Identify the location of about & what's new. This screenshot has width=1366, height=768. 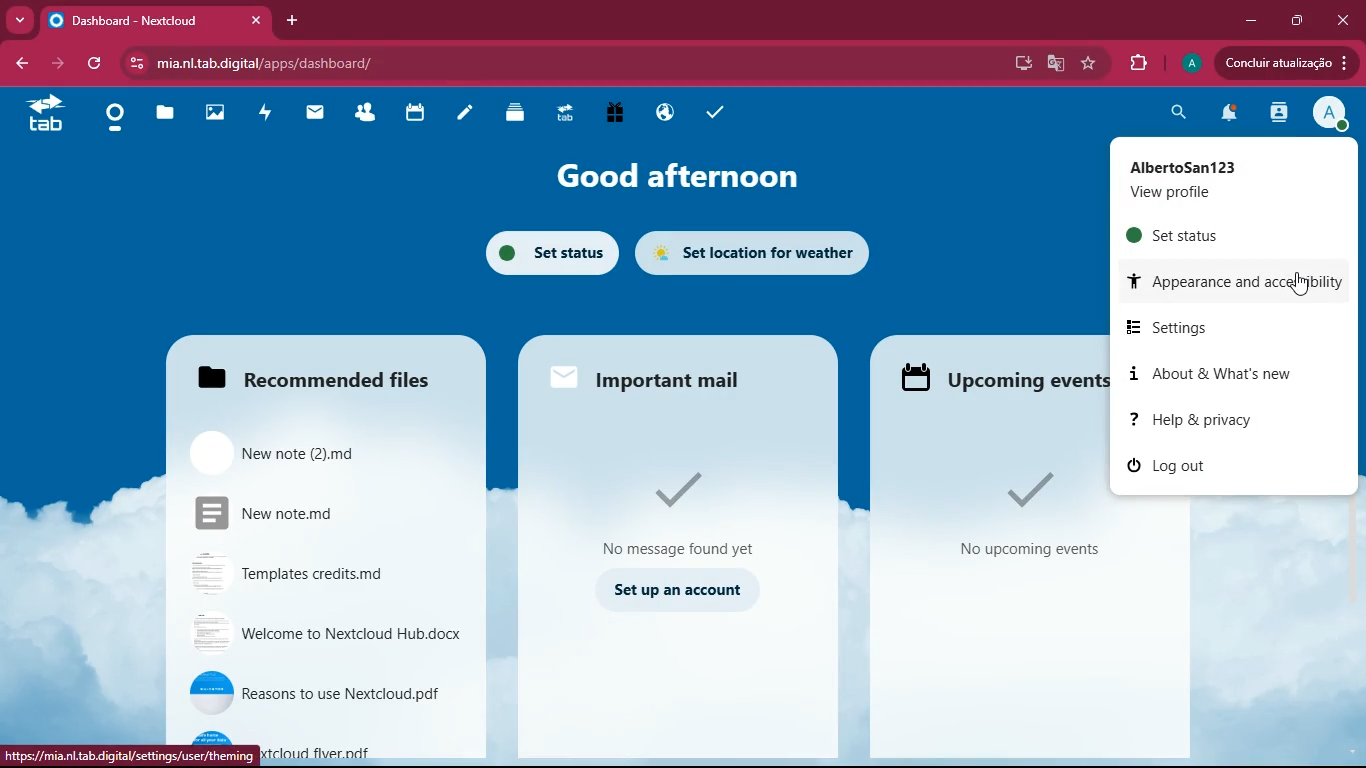
(1217, 370).